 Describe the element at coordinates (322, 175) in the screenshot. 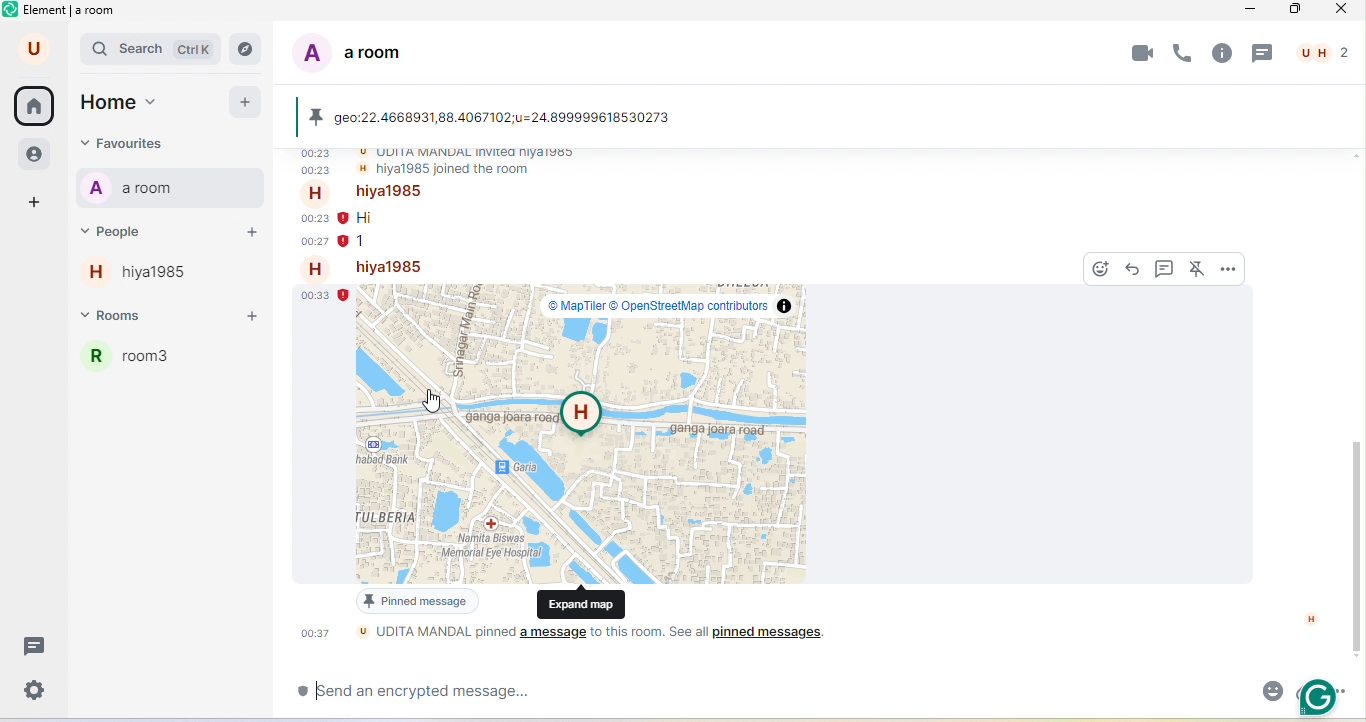

I see `00.23` at that location.